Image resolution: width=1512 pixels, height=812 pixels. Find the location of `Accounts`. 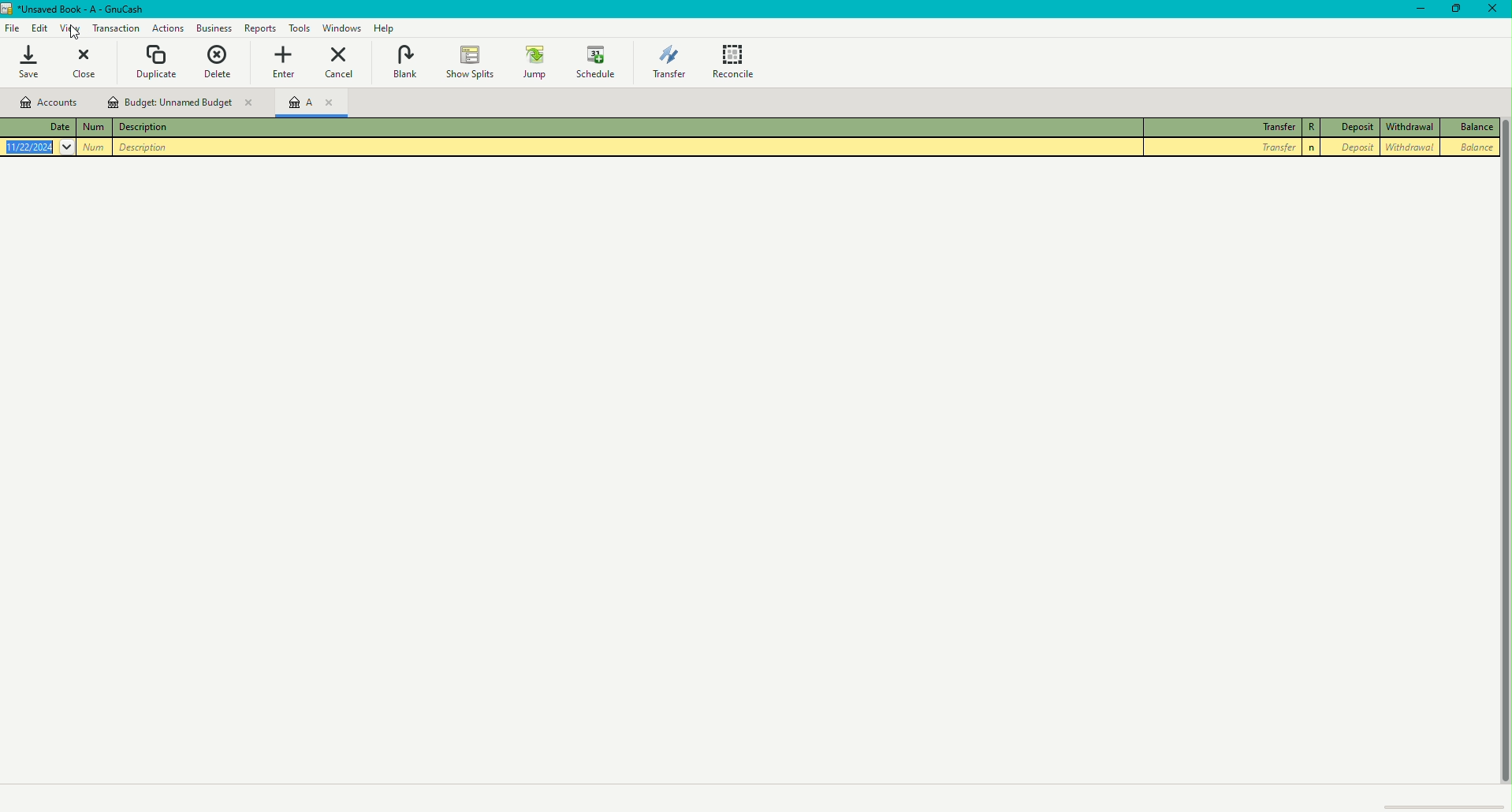

Accounts is located at coordinates (50, 102).